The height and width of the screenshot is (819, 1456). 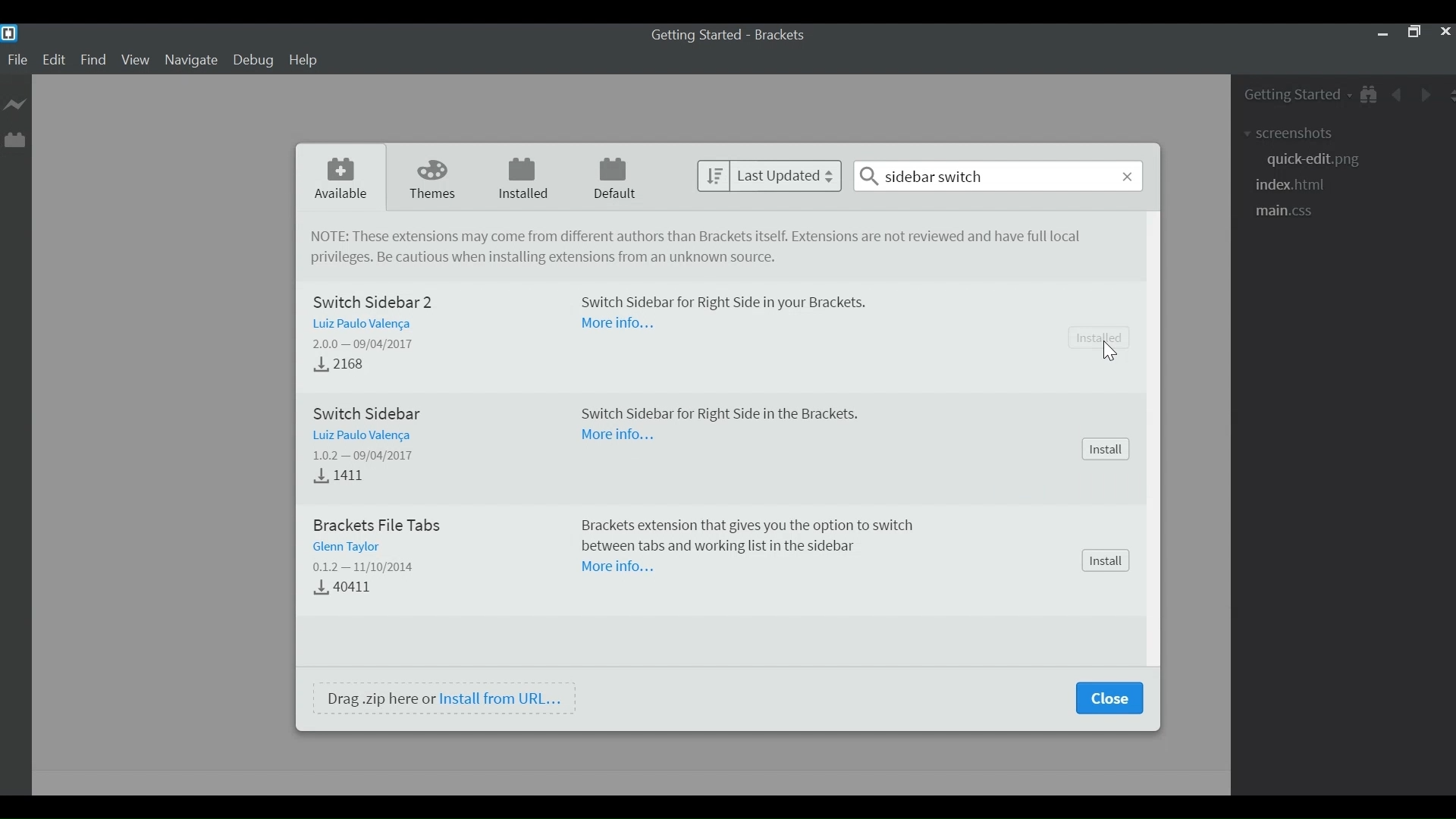 What do you see at coordinates (366, 324) in the screenshot?
I see `Luiz Paulo Valenca` at bounding box center [366, 324].